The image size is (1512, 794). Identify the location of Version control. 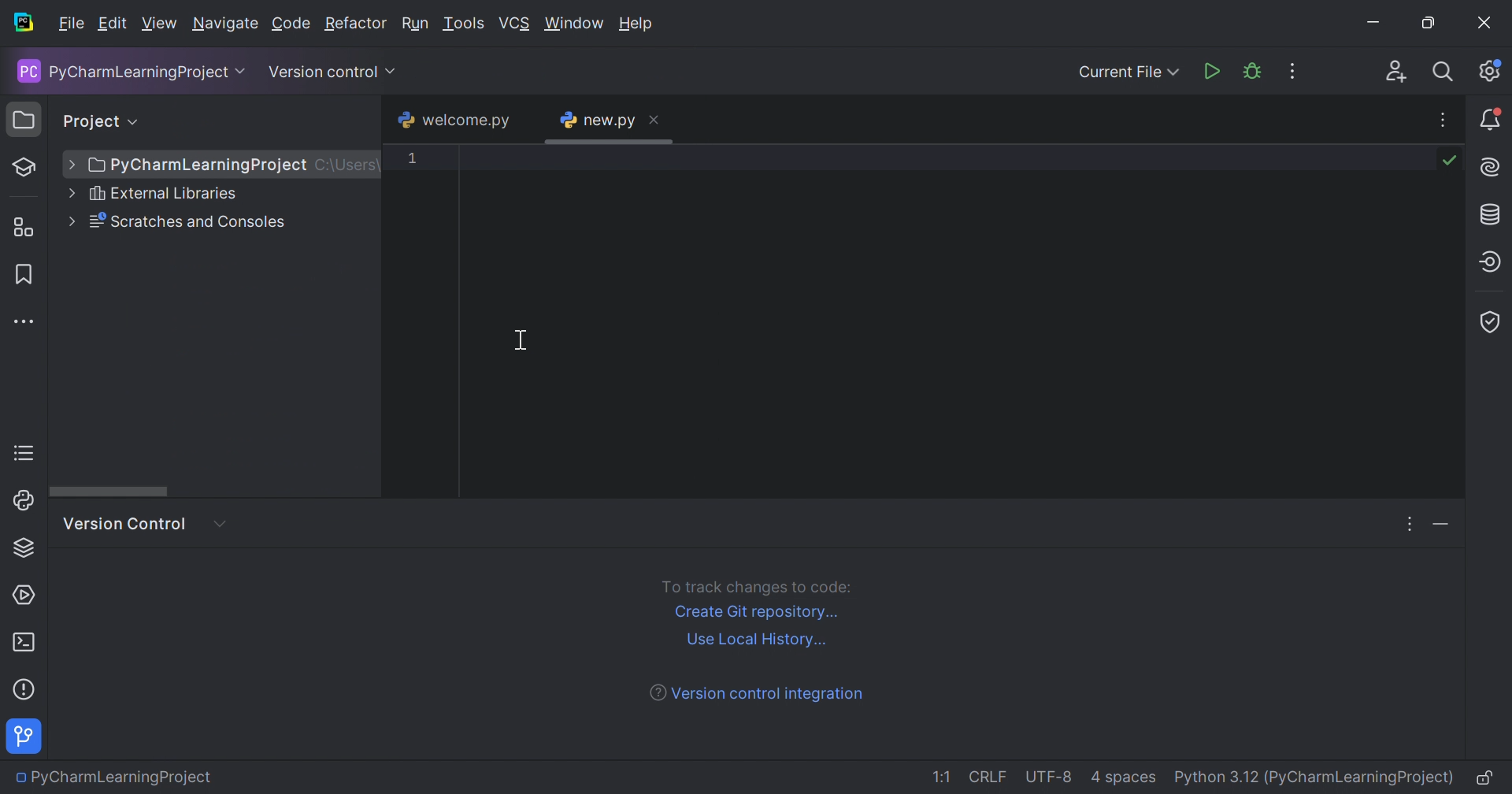
(23, 736).